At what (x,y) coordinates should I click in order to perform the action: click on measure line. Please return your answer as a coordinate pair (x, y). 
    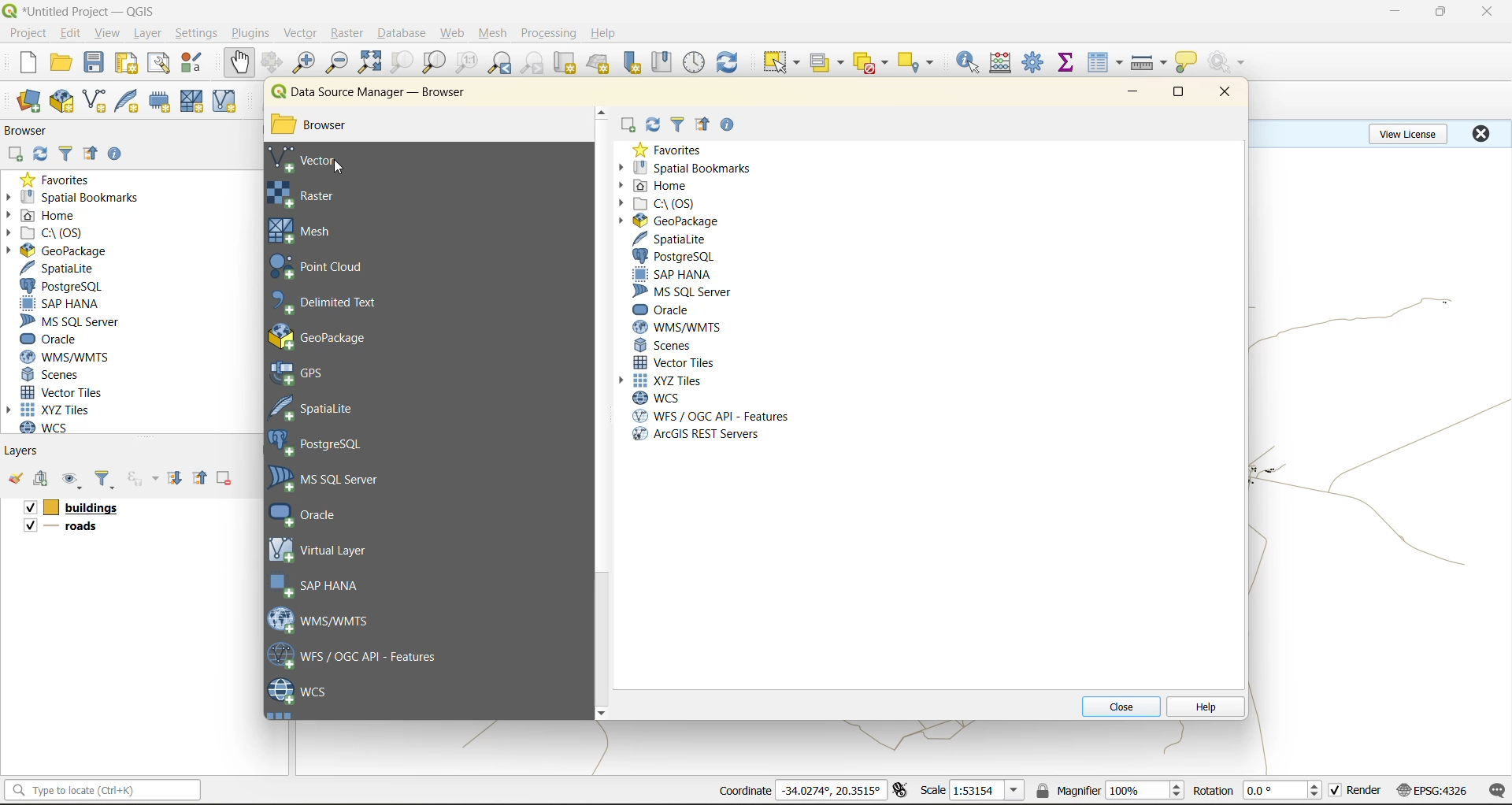
    Looking at the image, I should click on (1151, 63).